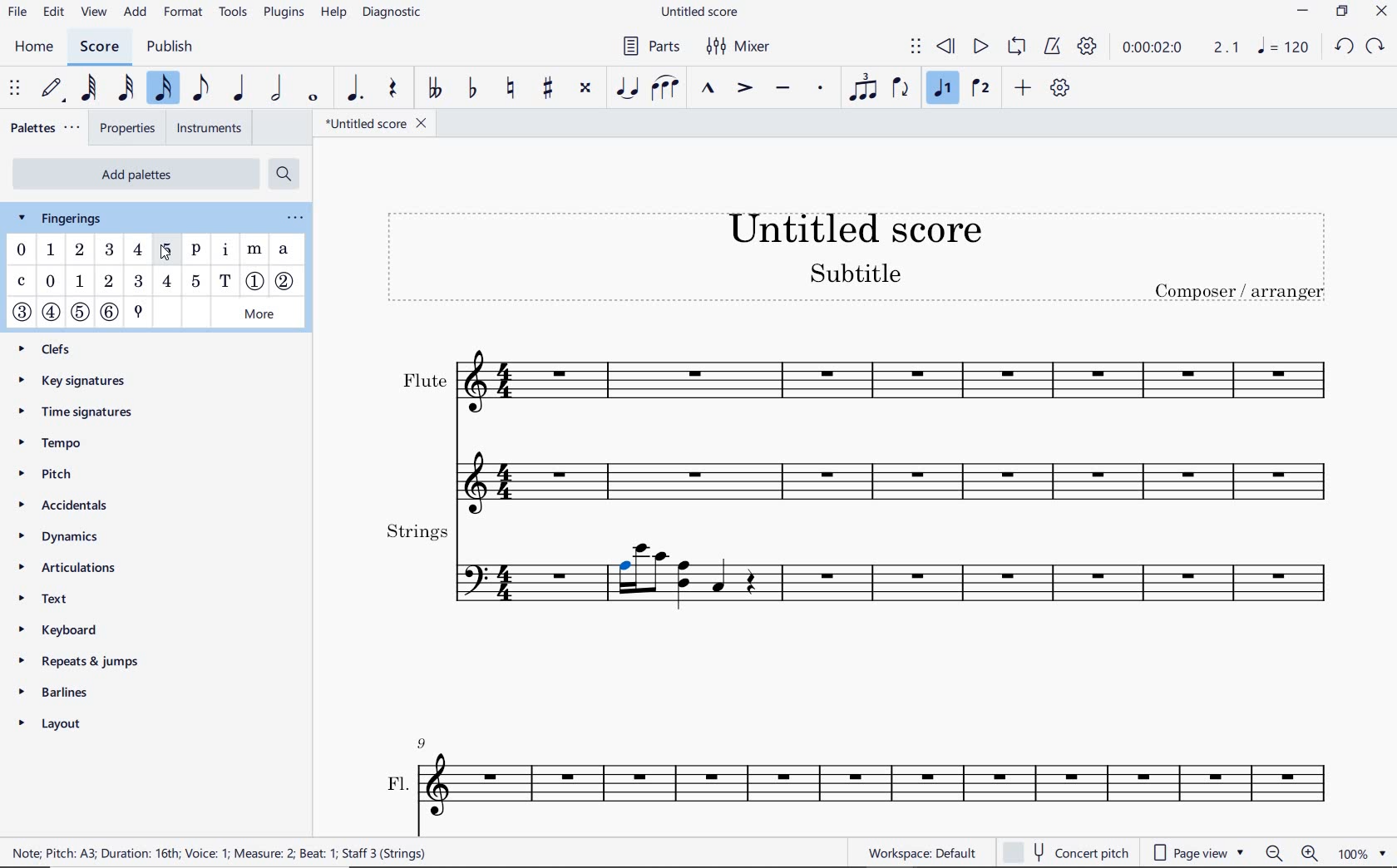 The image size is (1397, 868). I want to click on RH GUITAR FINGERING P, so click(196, 252).